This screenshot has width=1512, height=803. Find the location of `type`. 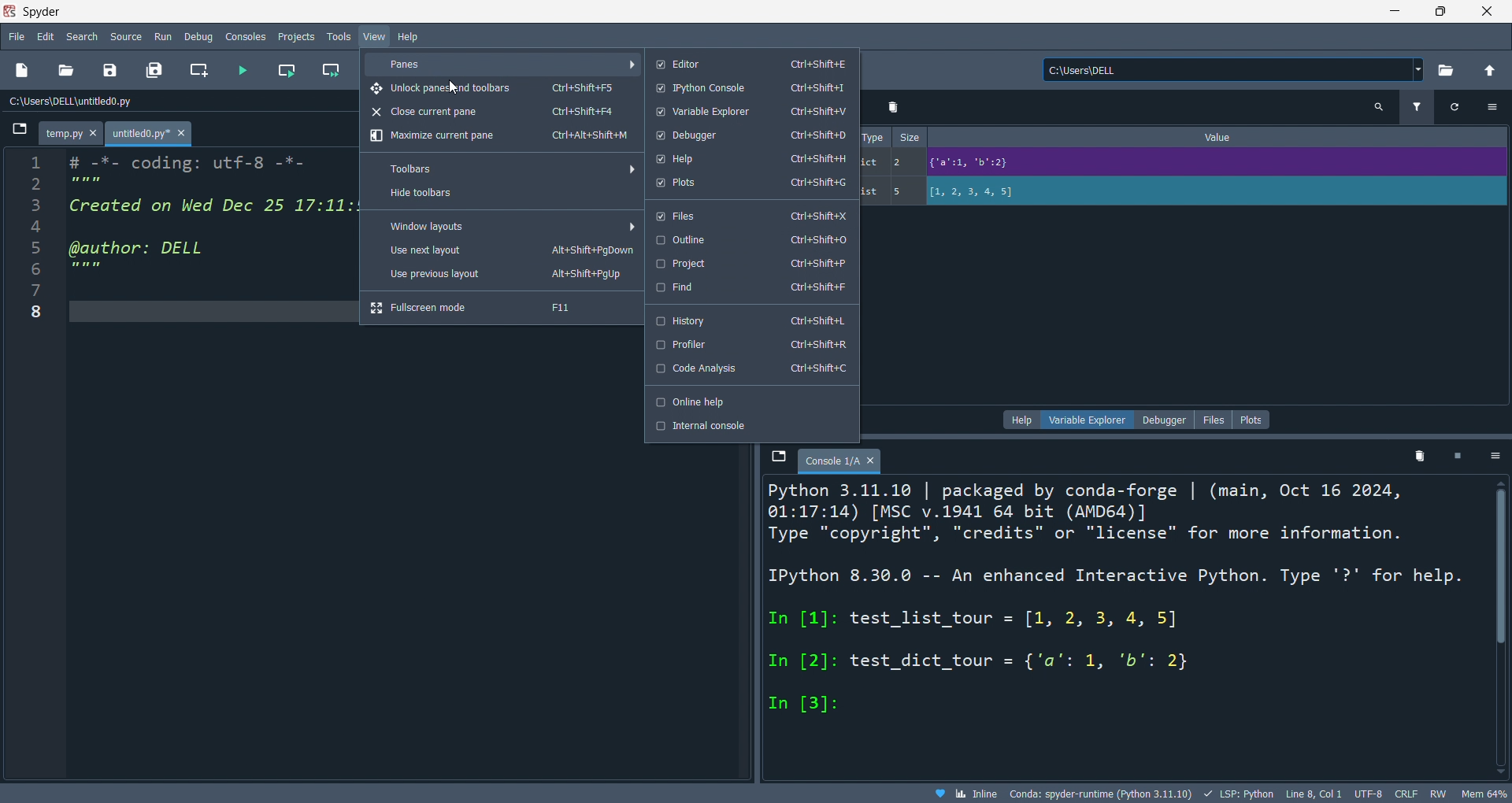

type is located at coordinates (873, 136).